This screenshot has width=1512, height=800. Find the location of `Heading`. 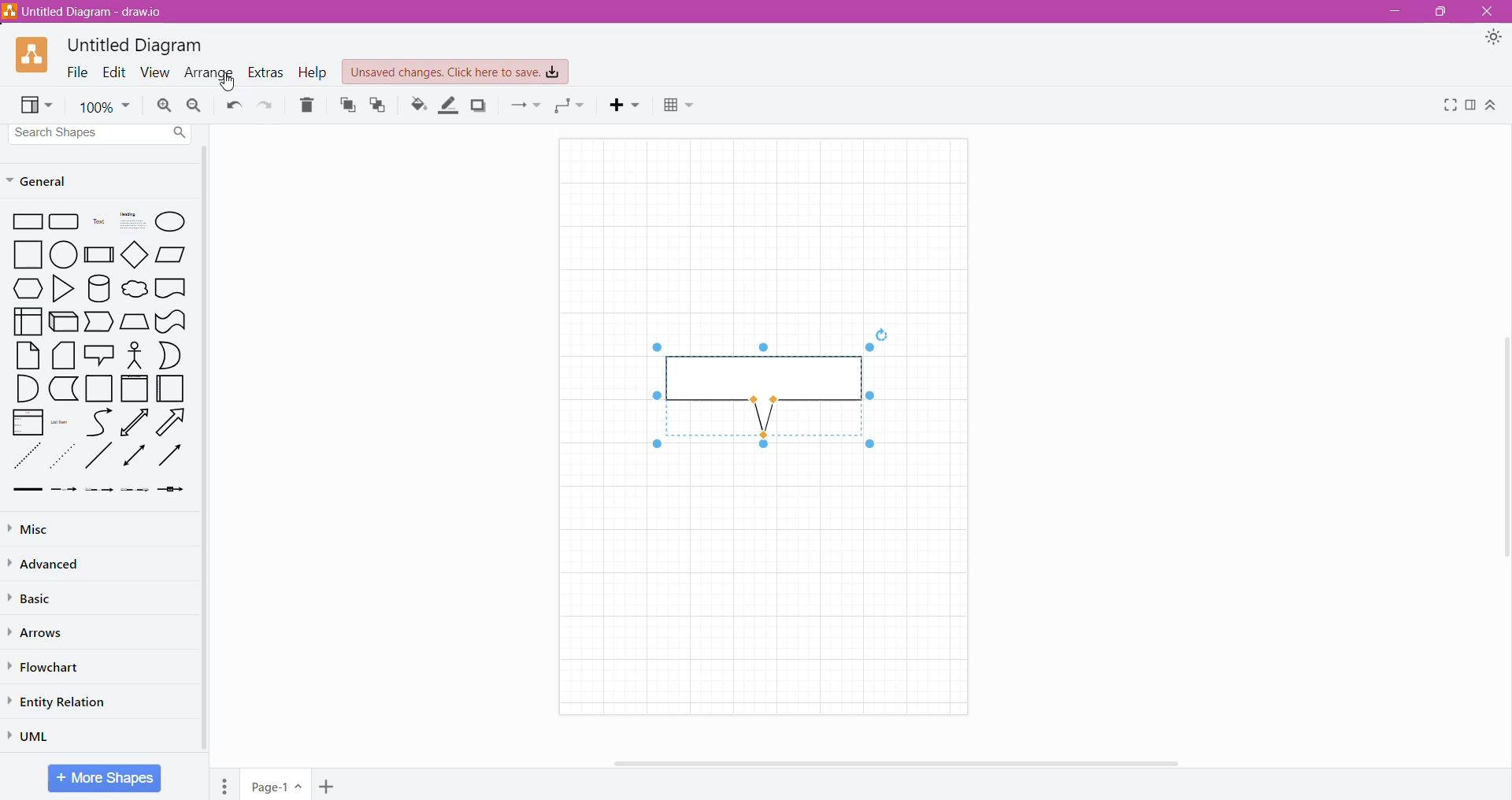

Heading is located at coordinates (130, 222).